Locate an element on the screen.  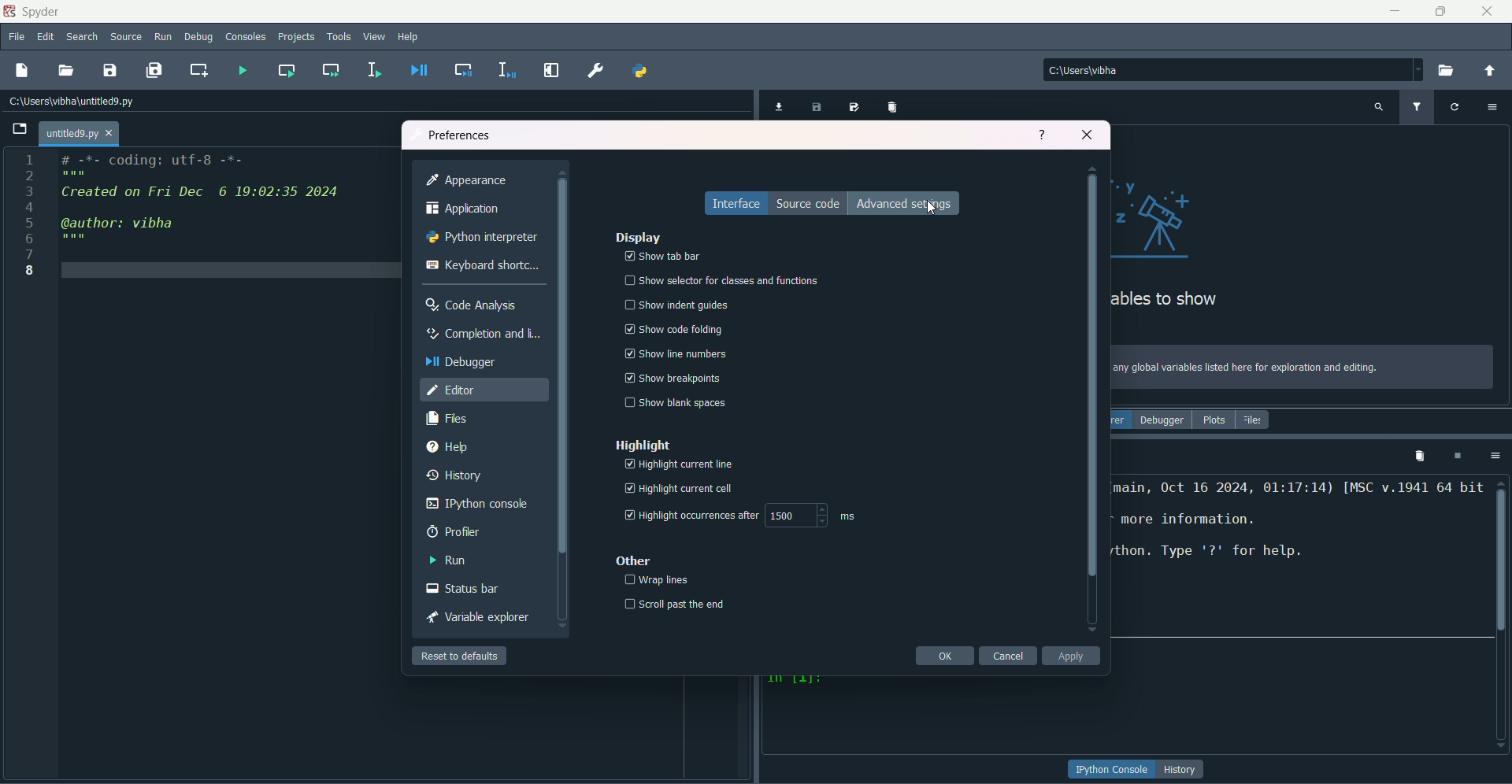
remove all is located at coordinates (1417, 455).